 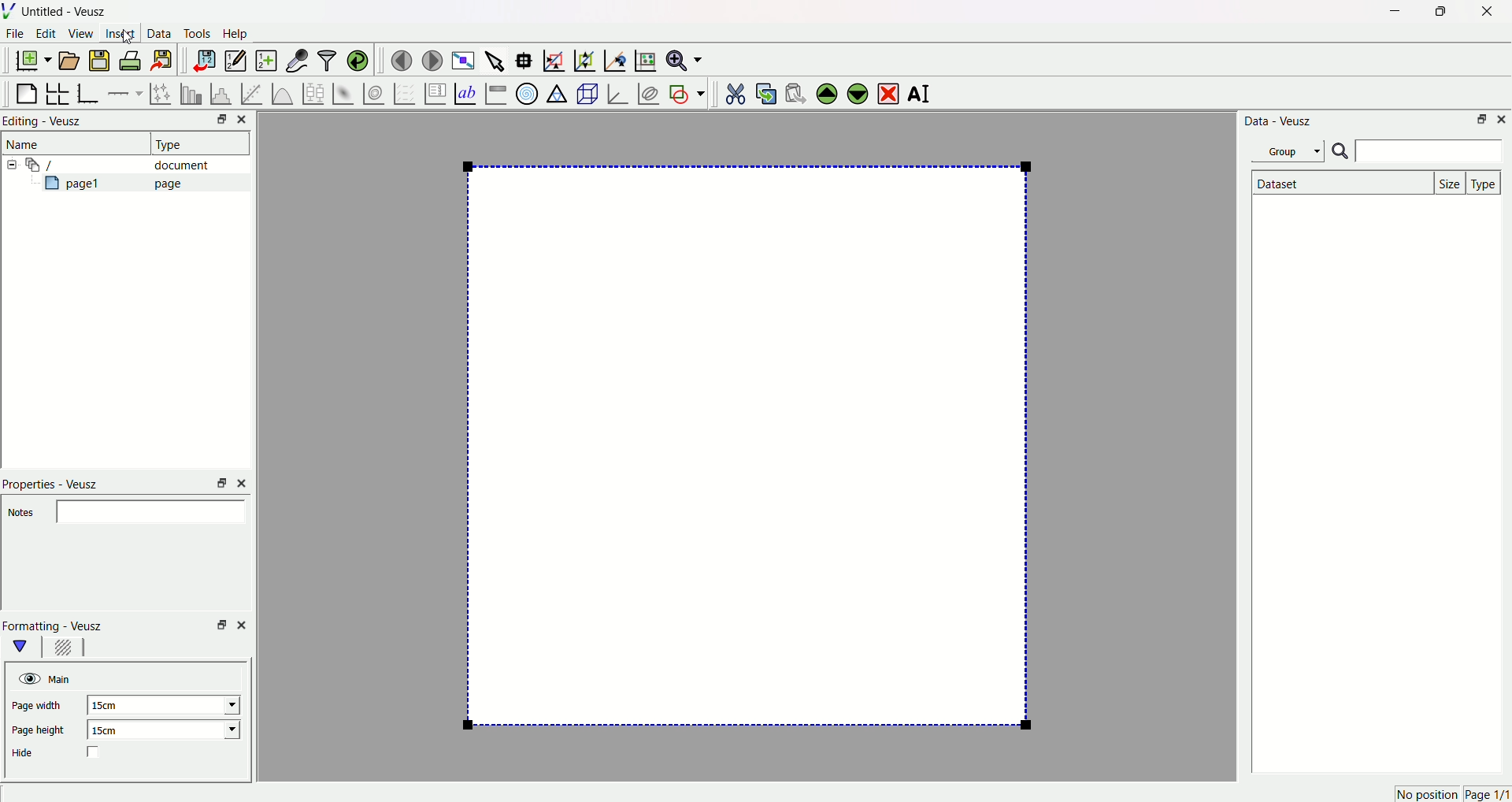 What do you see at coordinates (495, 93) in the screenshot?
I see `image color bar` at bounding box center [495, 93].